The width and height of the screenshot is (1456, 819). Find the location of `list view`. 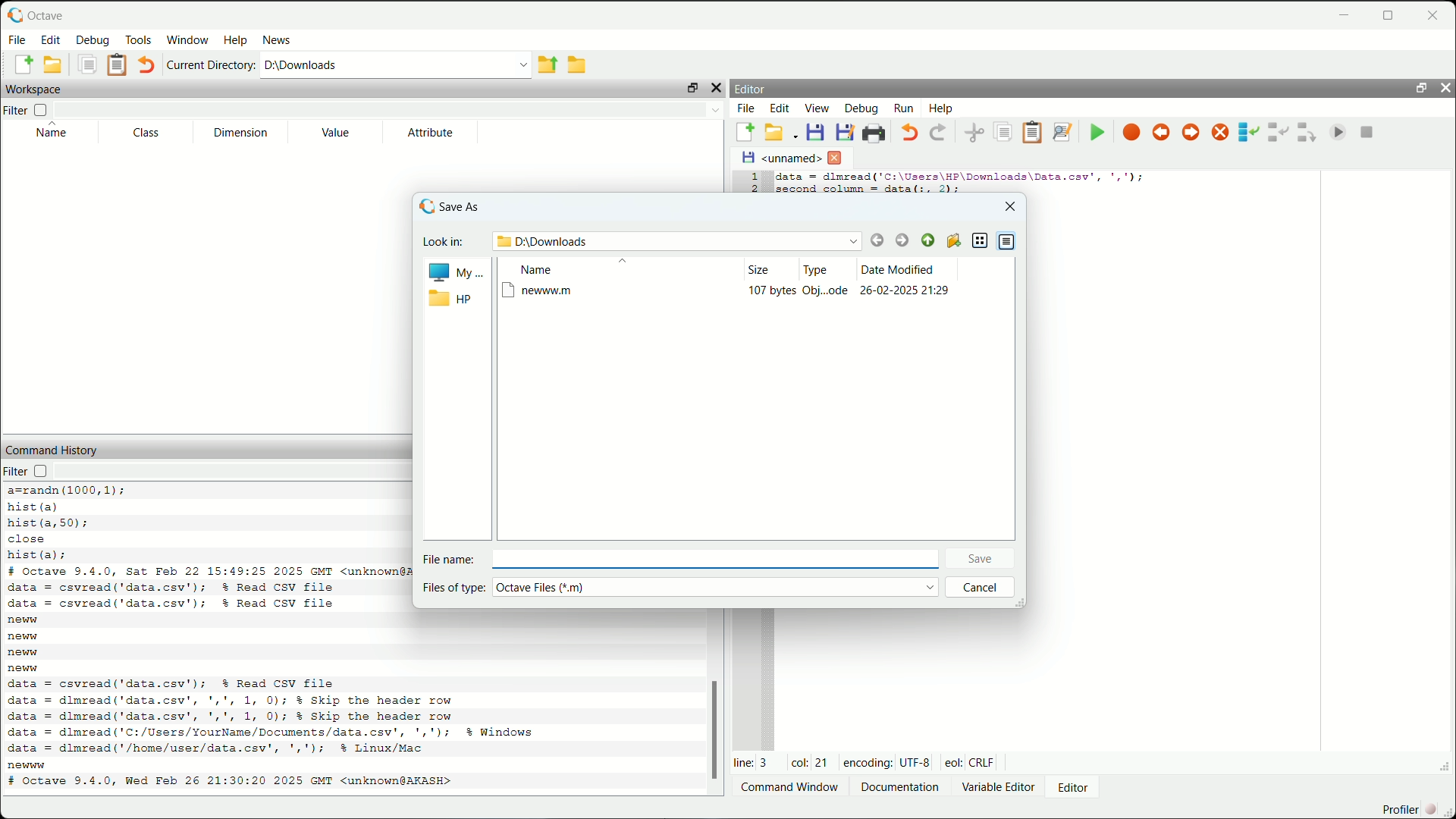

list view is located at coordinates (981, 241).